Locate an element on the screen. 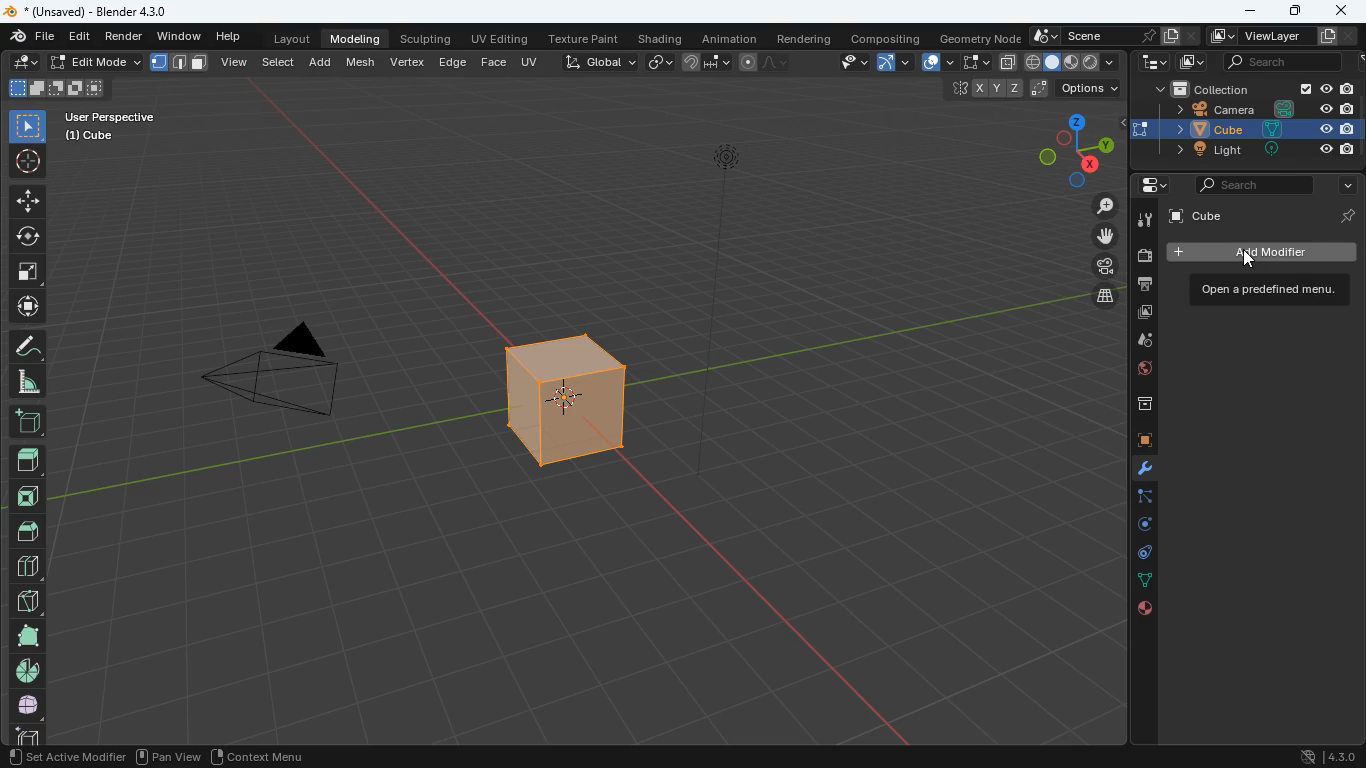  collection is located at coordinates (1246, 89).